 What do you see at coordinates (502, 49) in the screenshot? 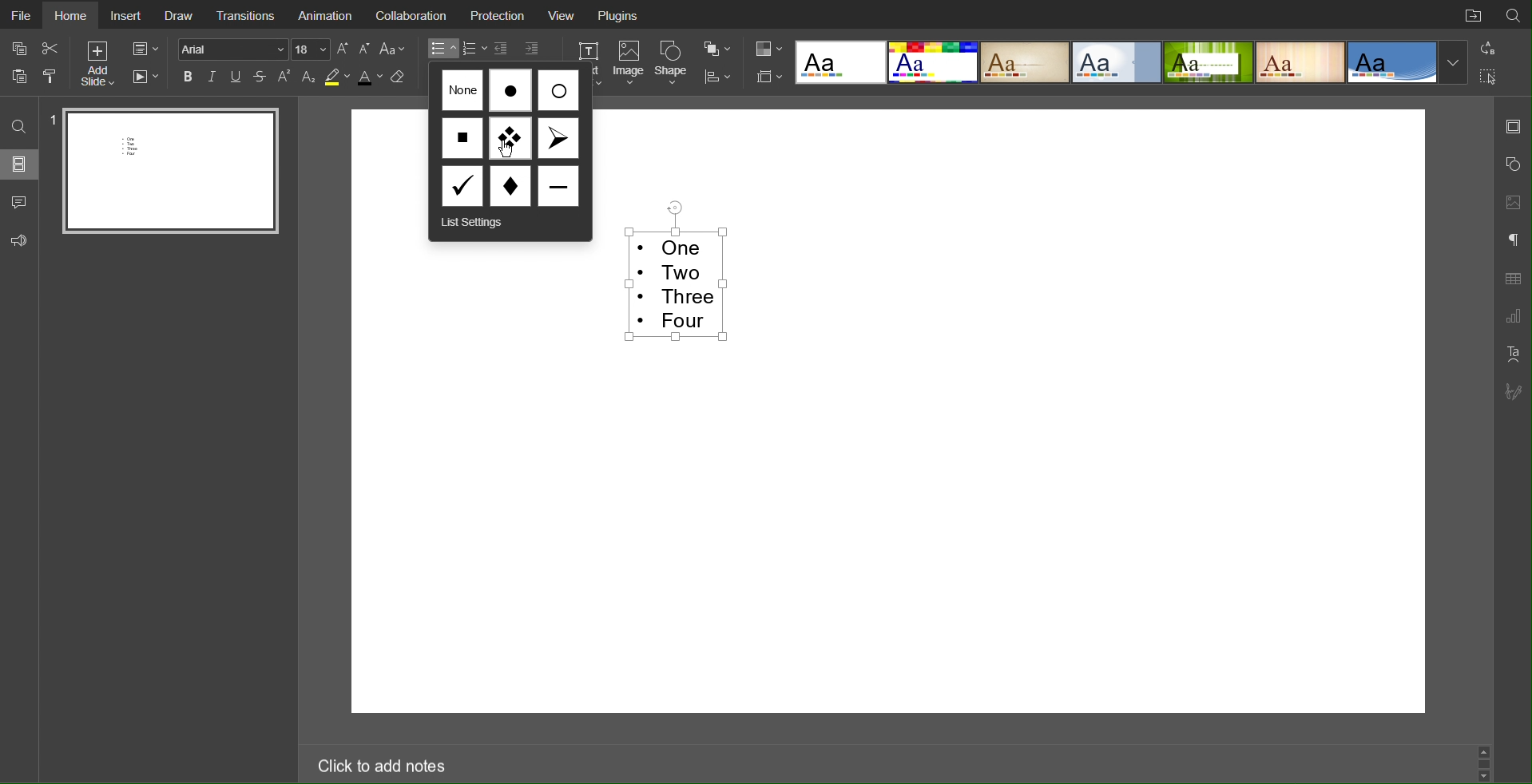
I see `Decrease Indent` at bounding box center [502, 49].